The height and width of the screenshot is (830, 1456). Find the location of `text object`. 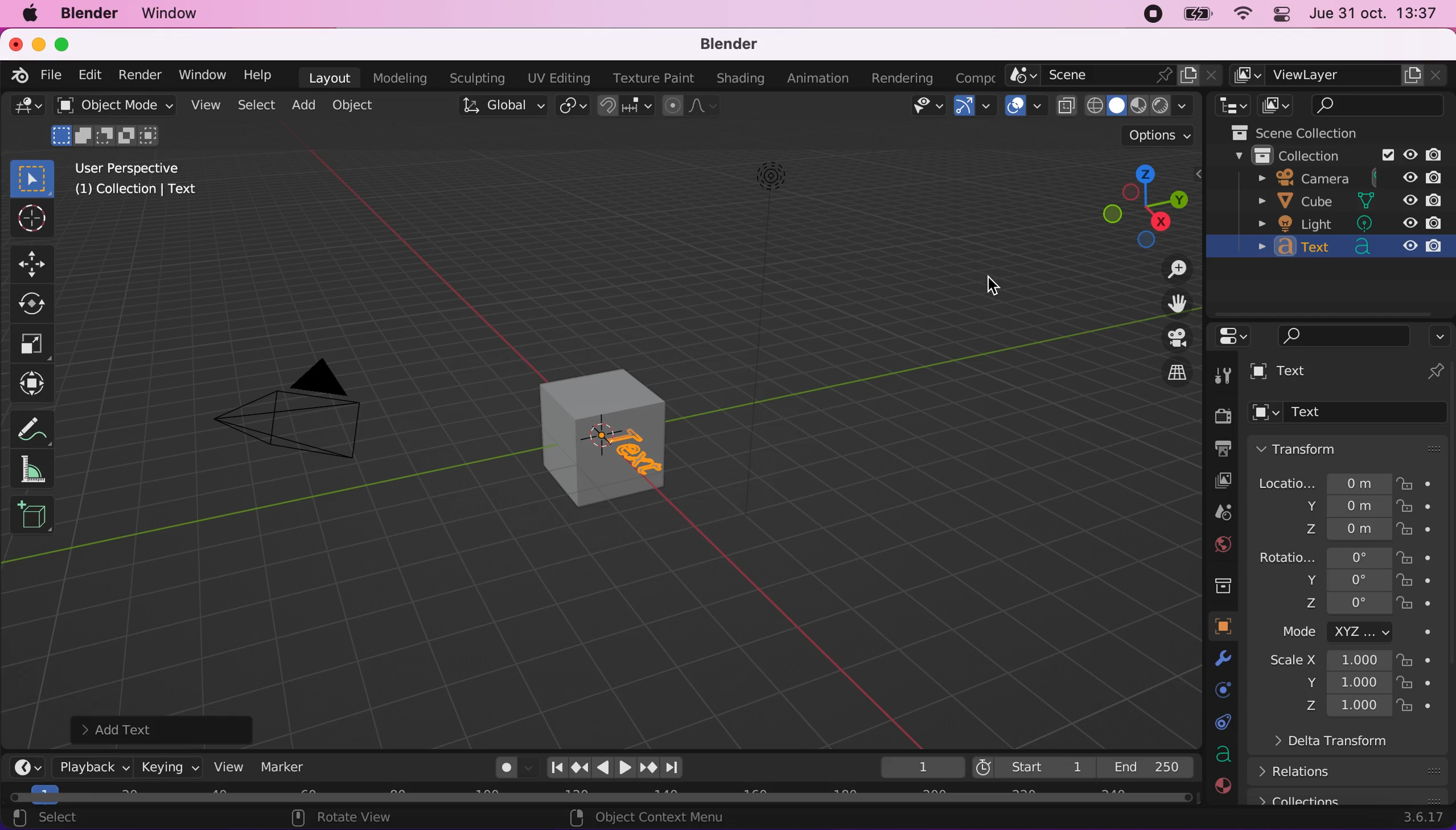

text object is located at coordinates (639, 453).